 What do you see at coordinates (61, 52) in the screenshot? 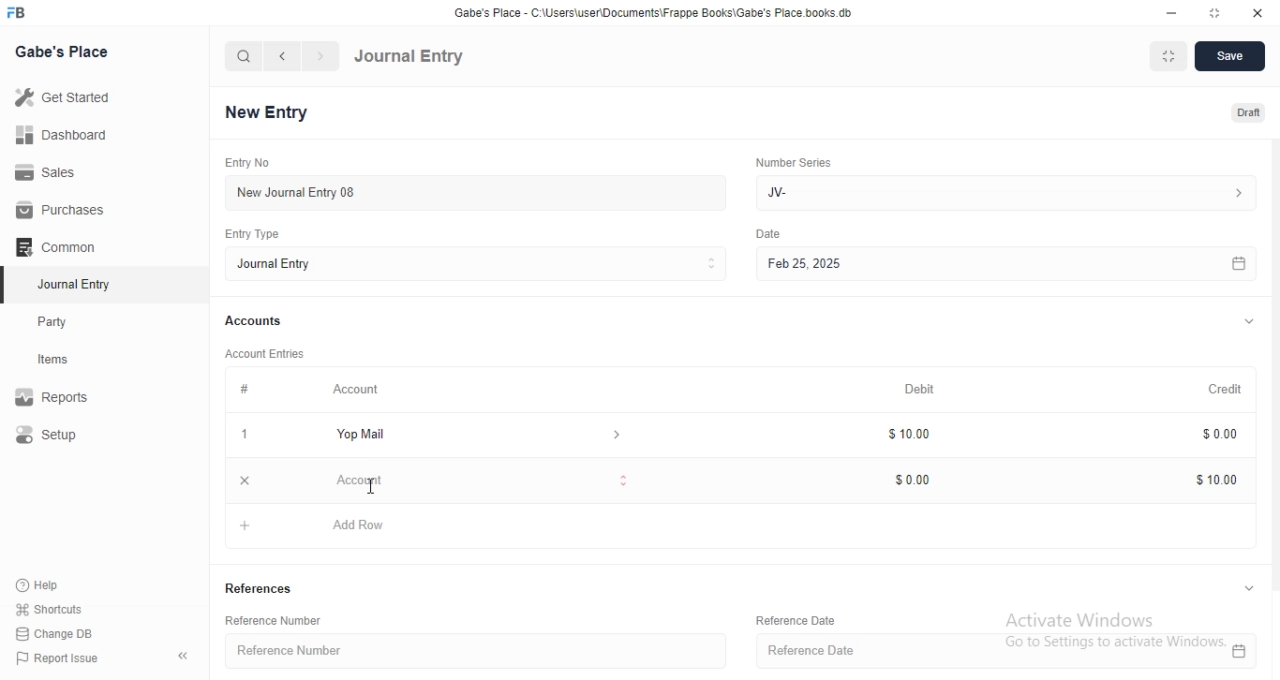
I see `Gabe's Place` at bounding box center [61, 52].